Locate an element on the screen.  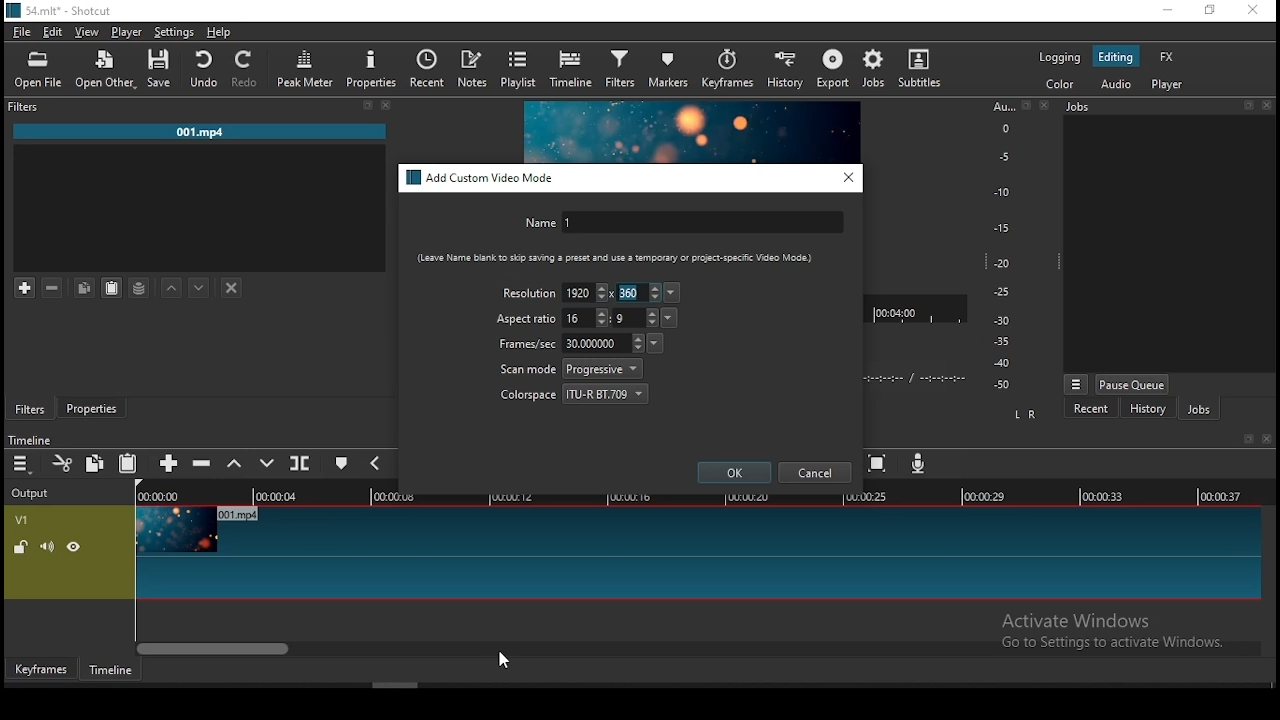
restore is located at coordinates (1246, 440).